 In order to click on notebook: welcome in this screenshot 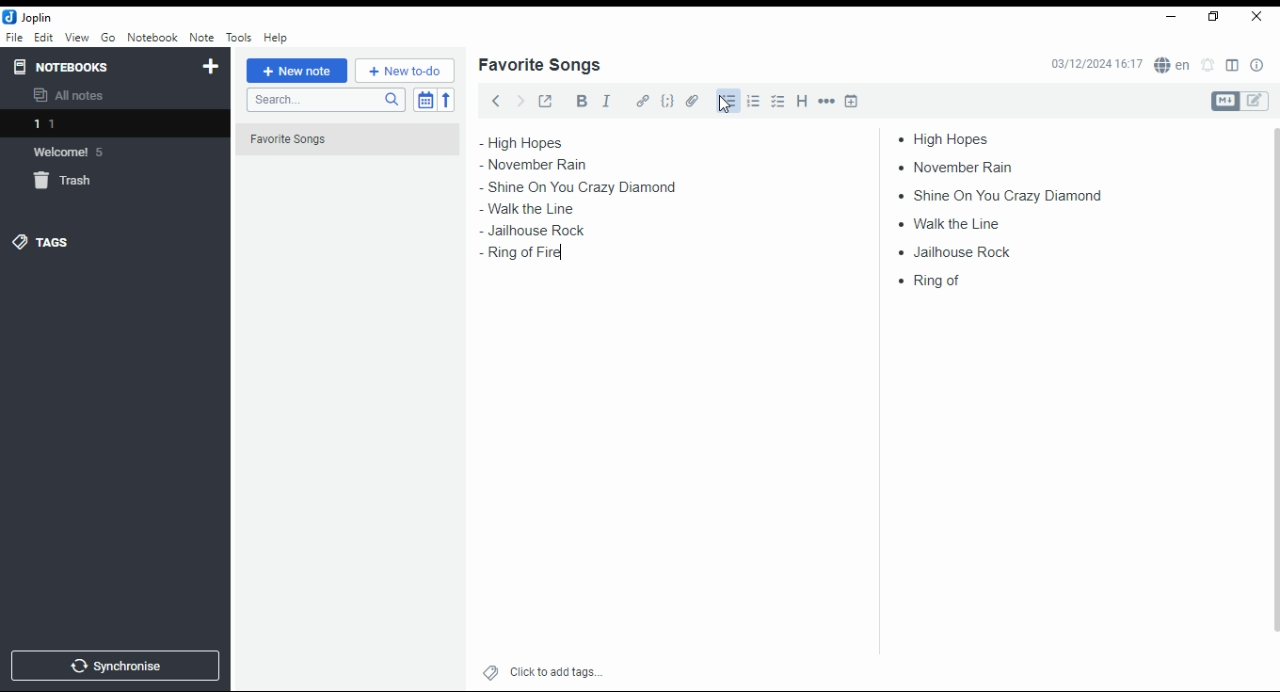, I will do `click(73, 151)`.